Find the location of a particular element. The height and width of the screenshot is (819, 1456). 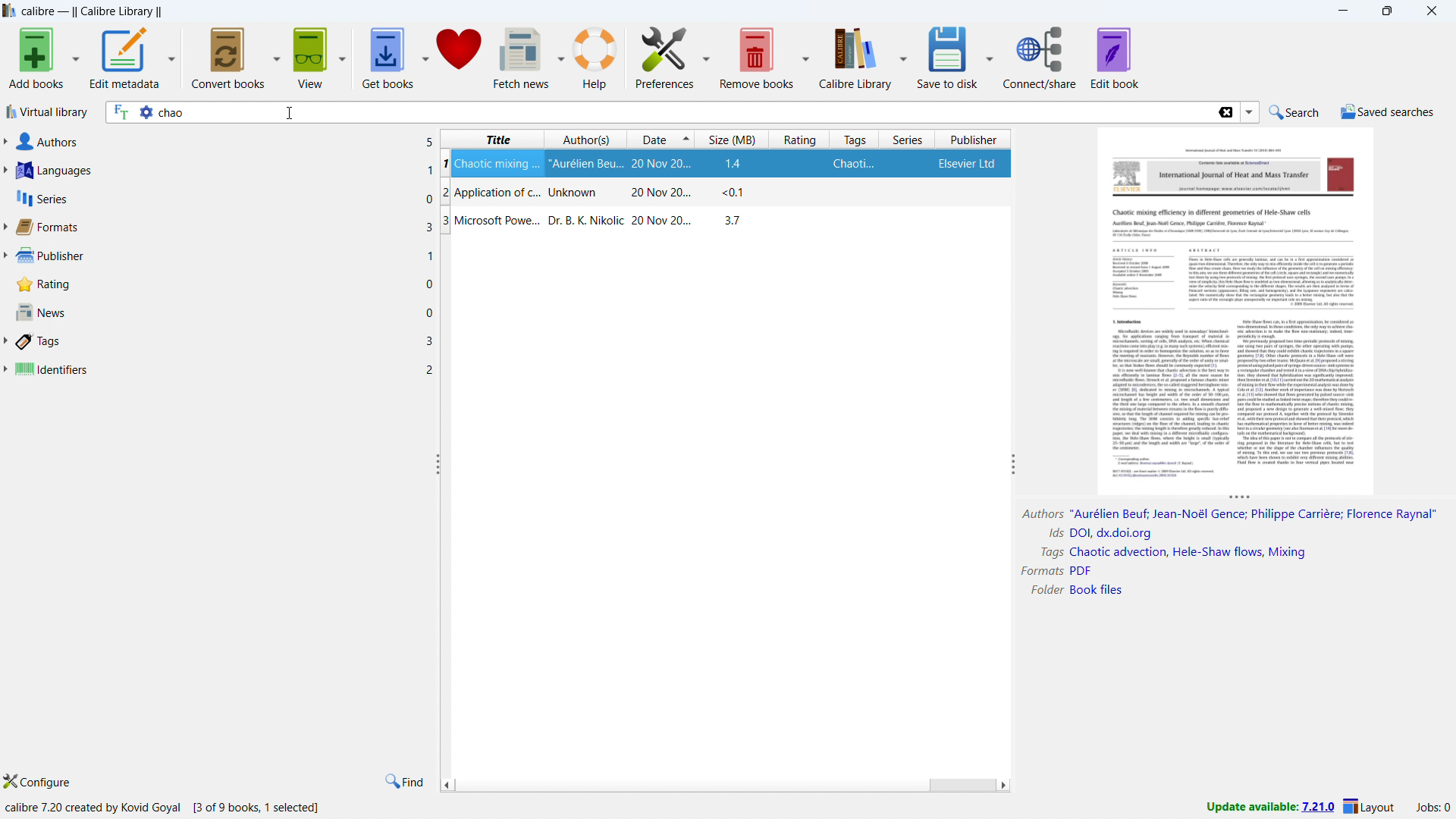

select sorting order is located at coordinates (687, 139).